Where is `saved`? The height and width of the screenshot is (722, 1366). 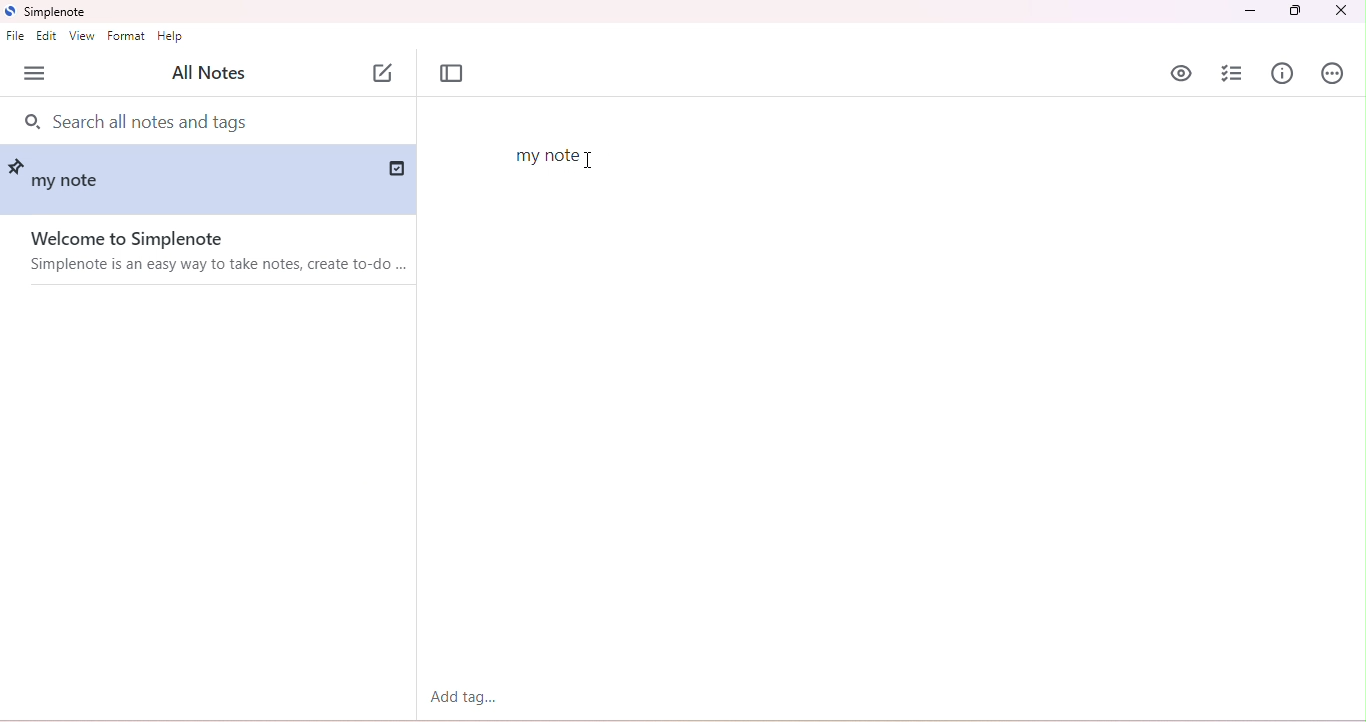
saved is located at coordinates (394, 167).